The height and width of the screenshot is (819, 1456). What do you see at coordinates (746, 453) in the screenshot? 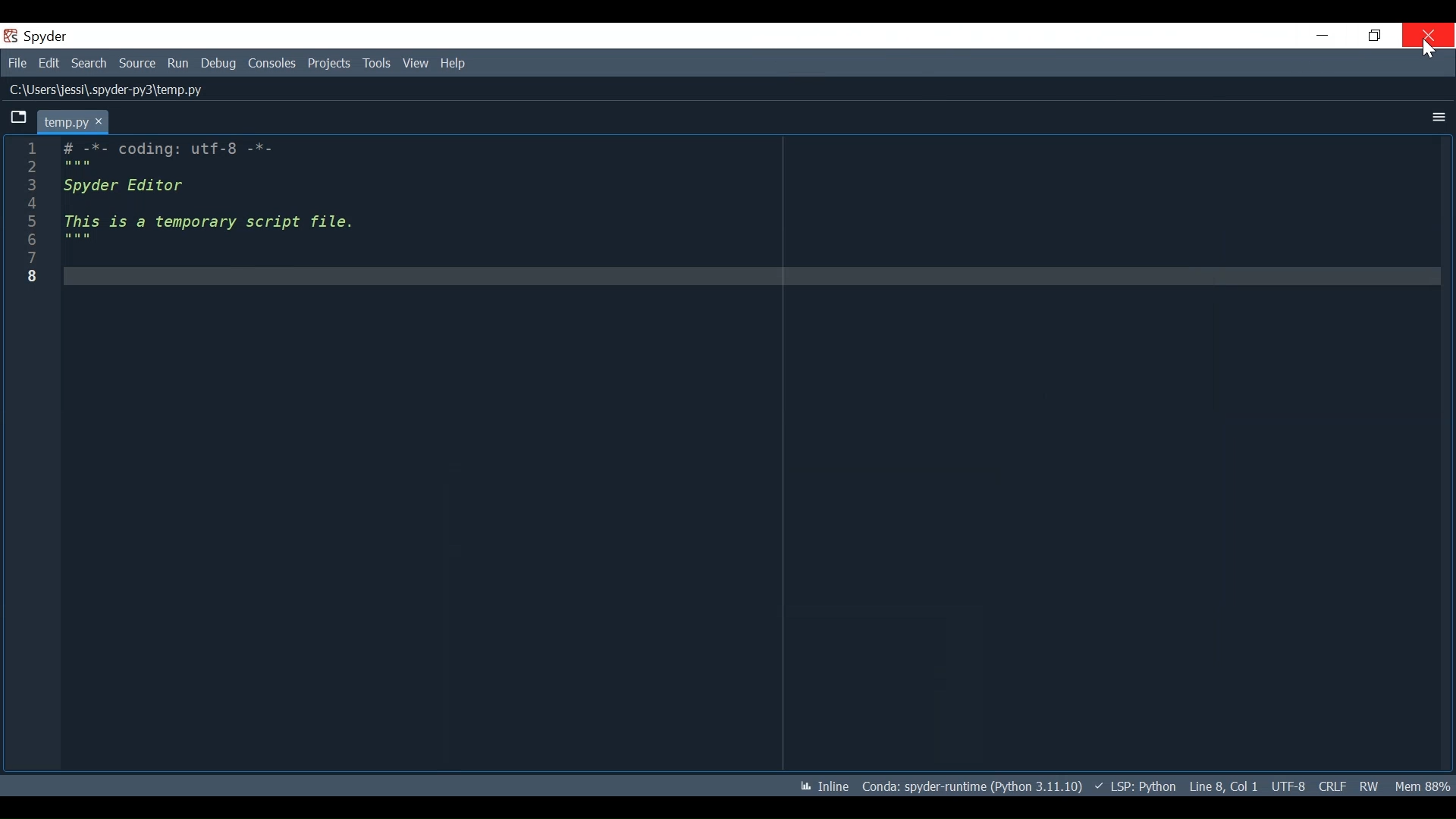
I see `# -*- coding: utf-8 -*- """ Spyder Editor  This is a temporary script file. """` at bounding box center [746, 453].